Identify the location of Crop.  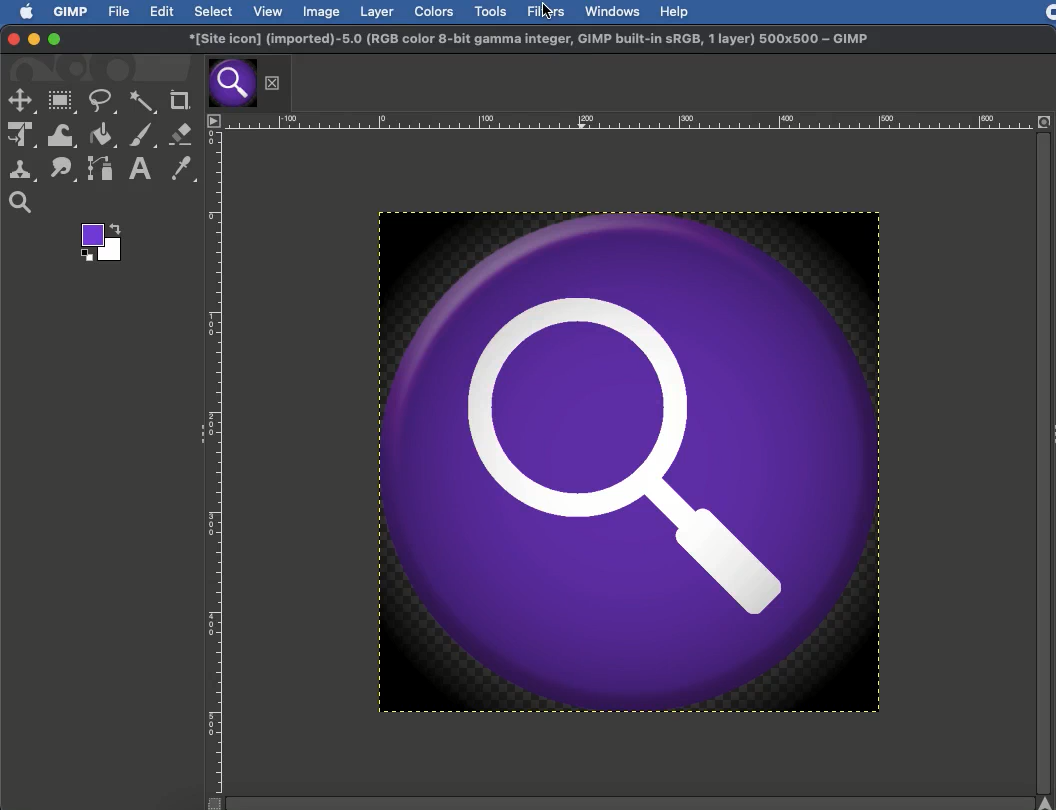
(178, 98).